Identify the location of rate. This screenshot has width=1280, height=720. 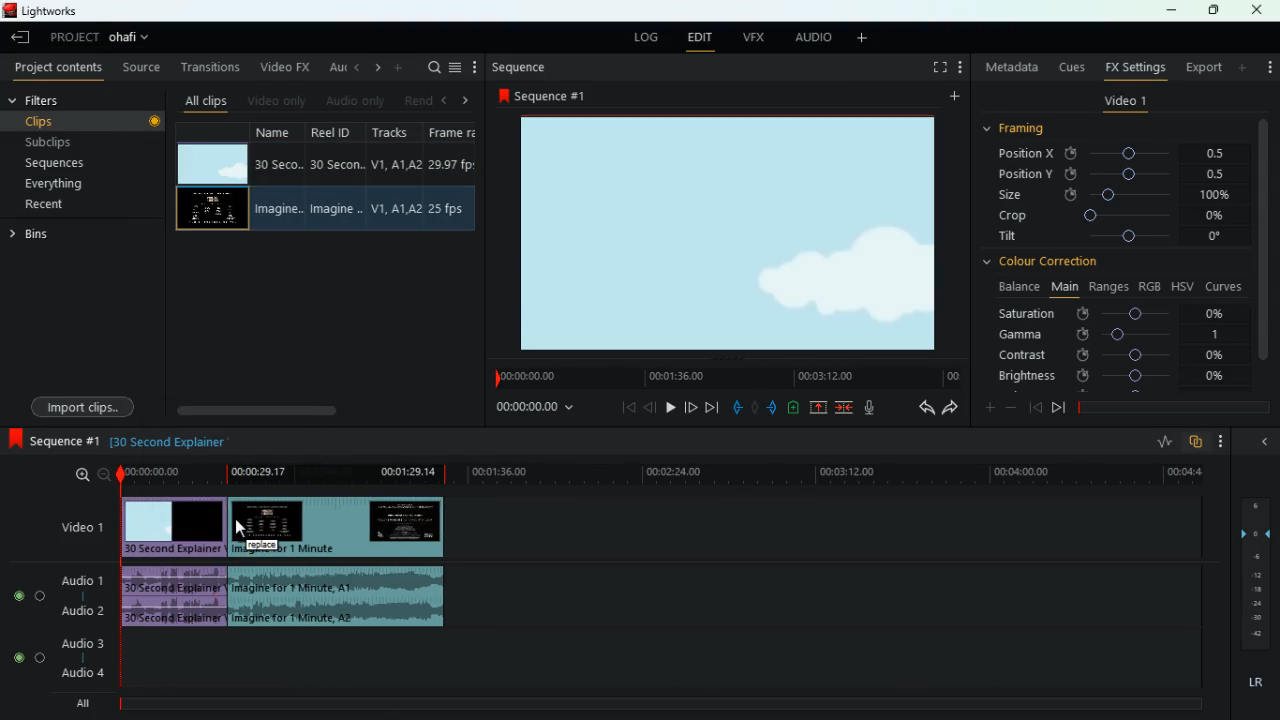
(1163, 444).